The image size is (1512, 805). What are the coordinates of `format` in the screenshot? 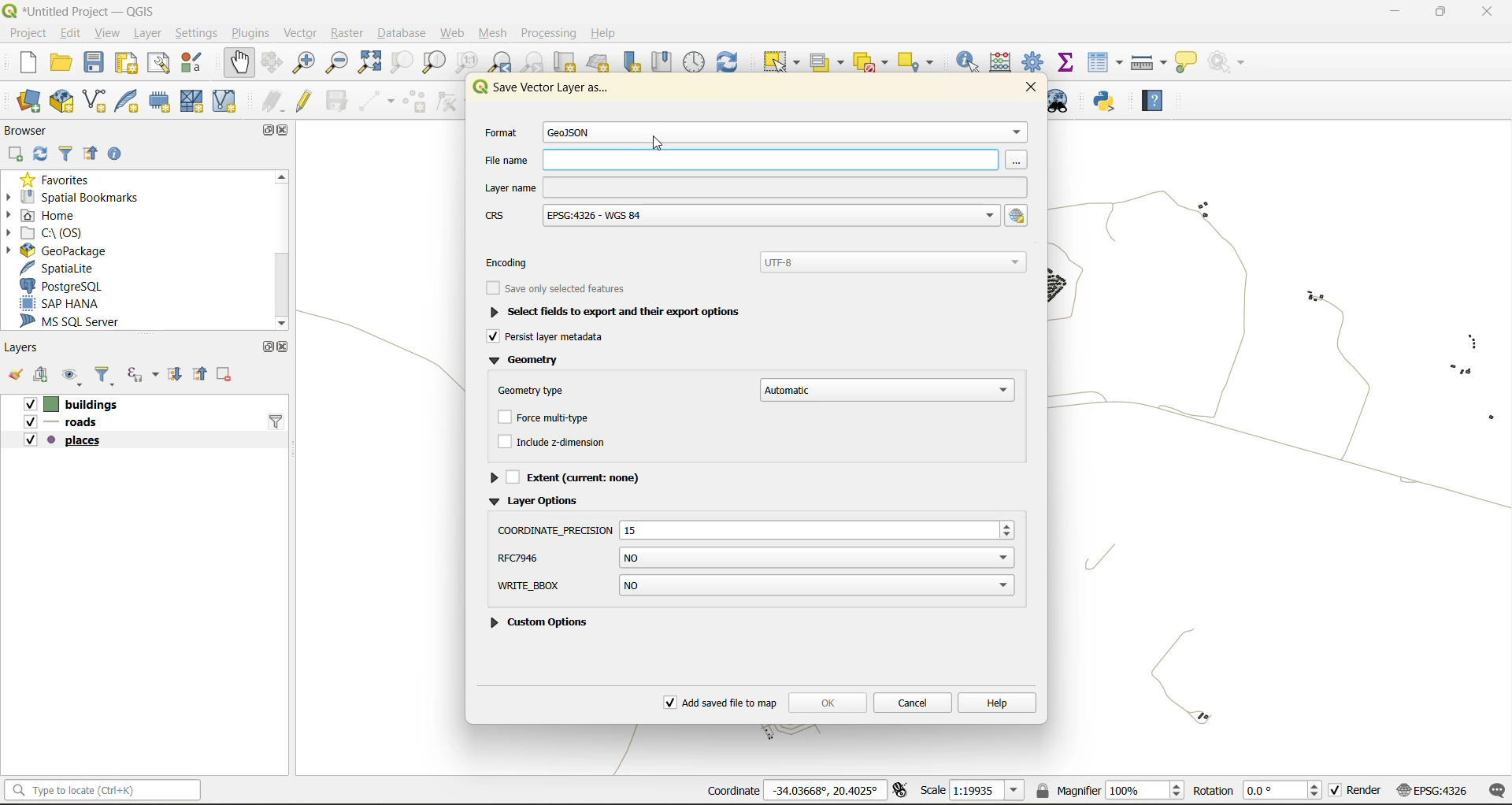 It's located at (758, 131).